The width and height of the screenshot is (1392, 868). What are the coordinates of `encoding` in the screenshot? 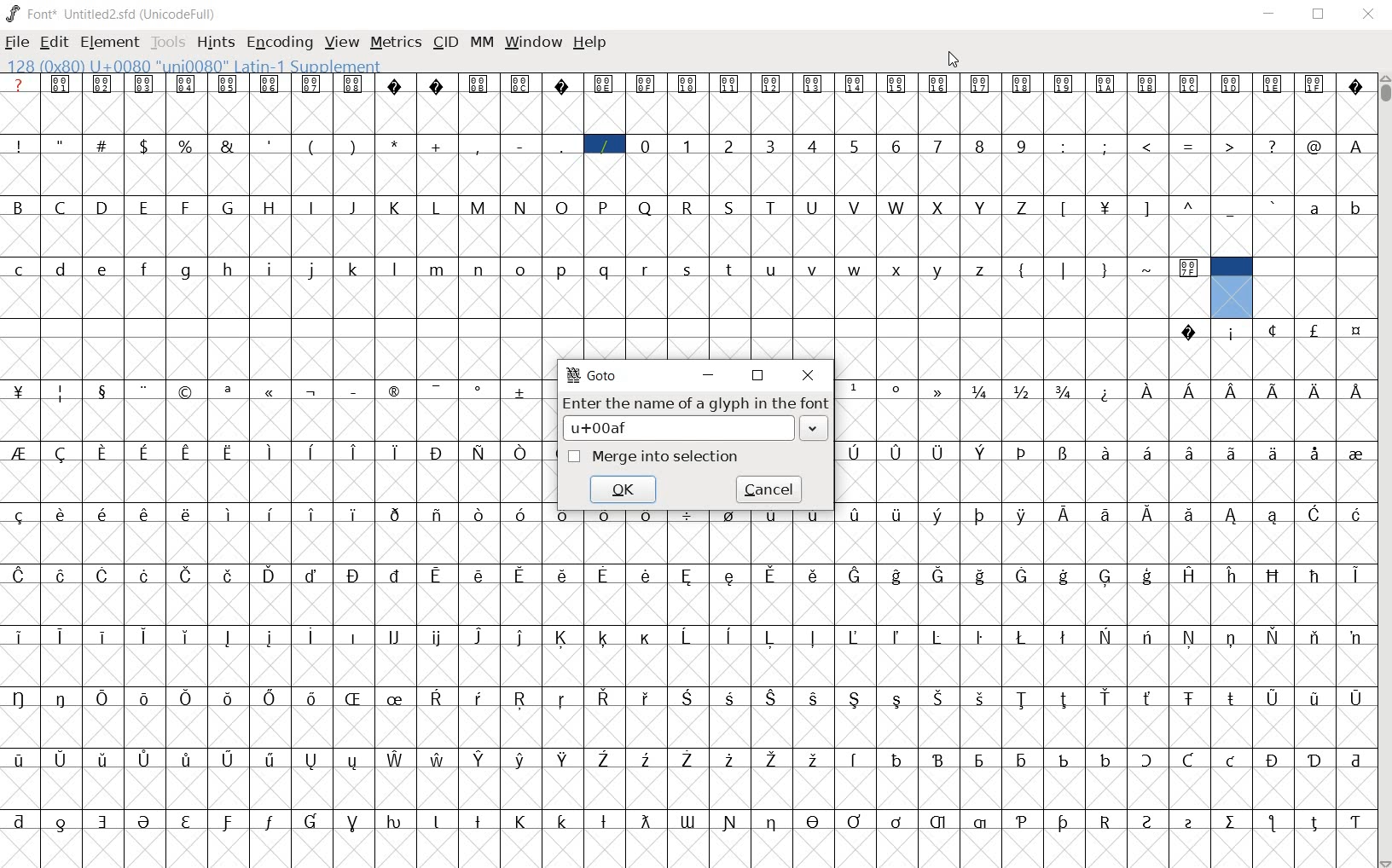 It's located at (279, 43).